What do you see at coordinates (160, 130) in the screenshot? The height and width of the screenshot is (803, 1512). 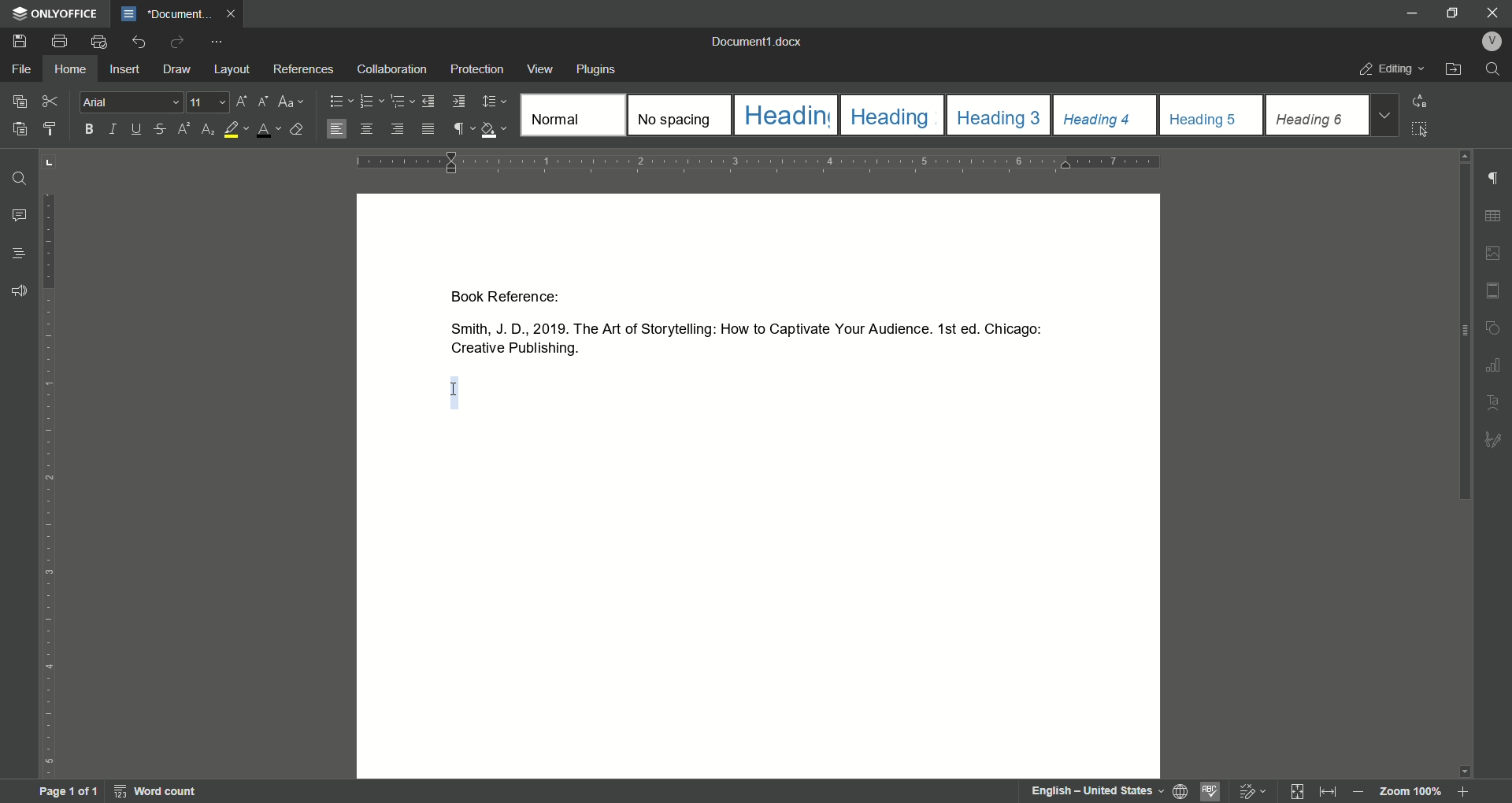 I see `strikethrough` at bounding box center [160, 130].